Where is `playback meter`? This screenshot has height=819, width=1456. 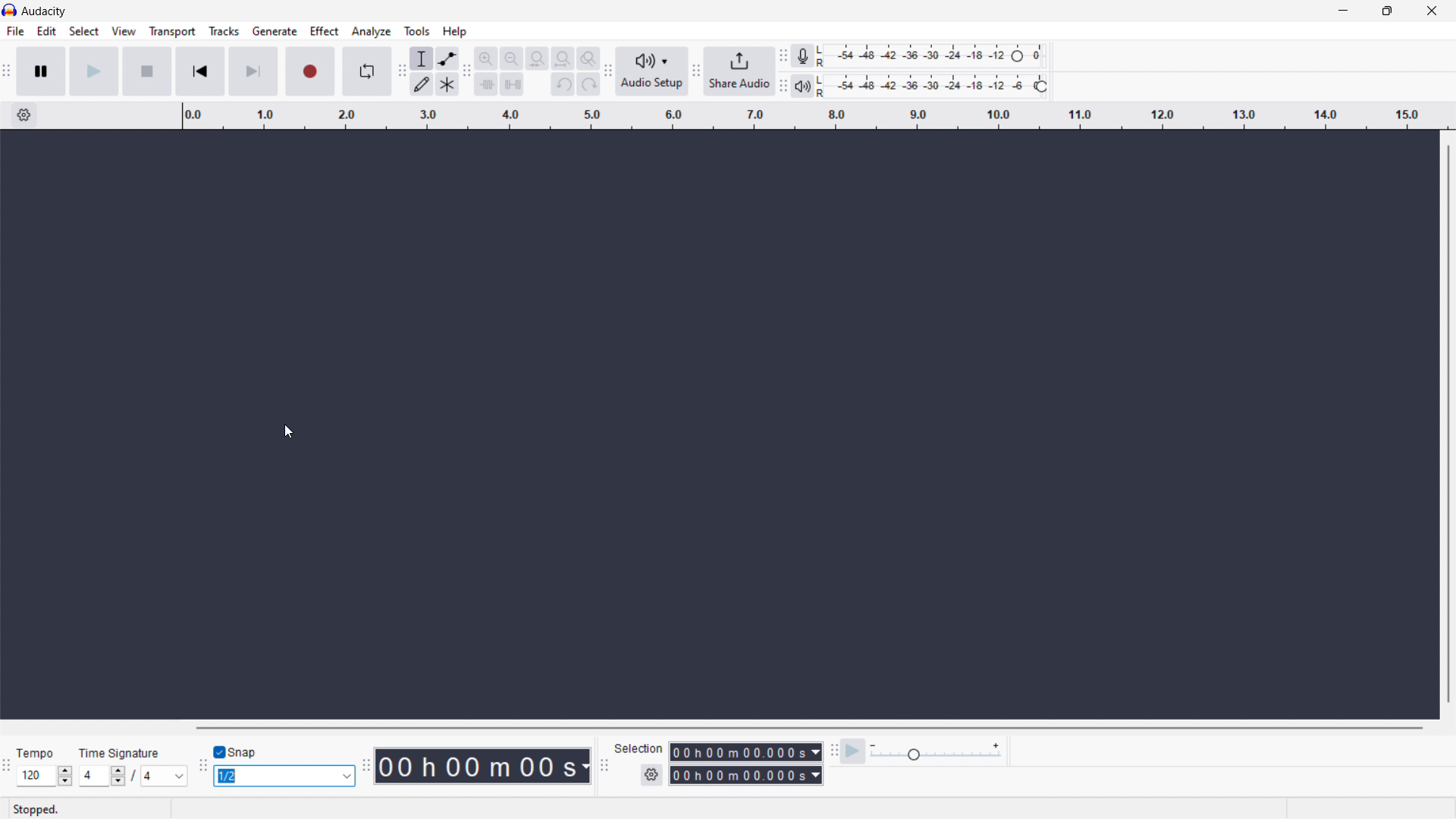 playback meter is located at coordinates (935, 752).